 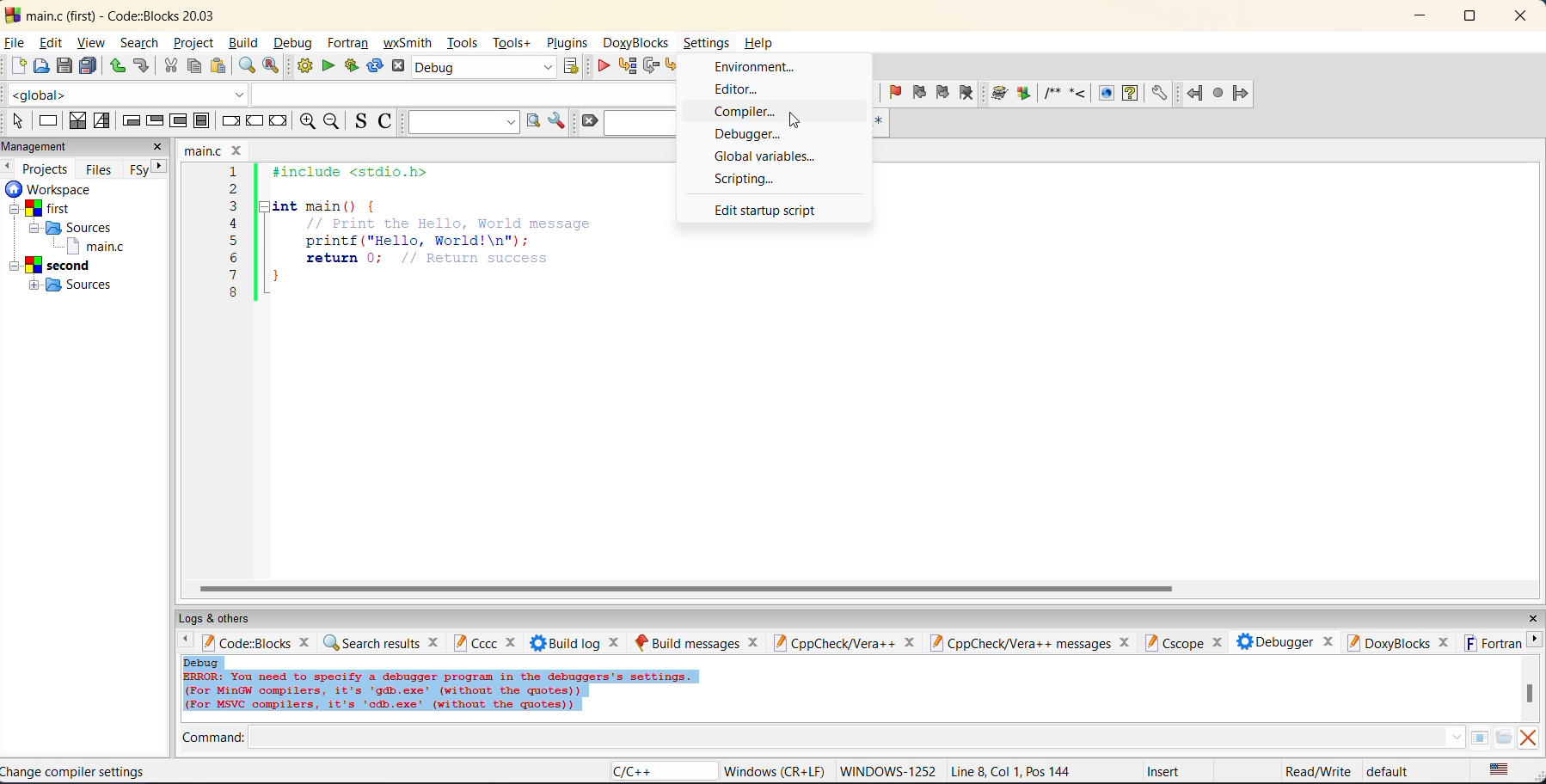 What do you see at coordinates (158, 148) in the screenshot?
I see `close` at bounding box center [158, 148].